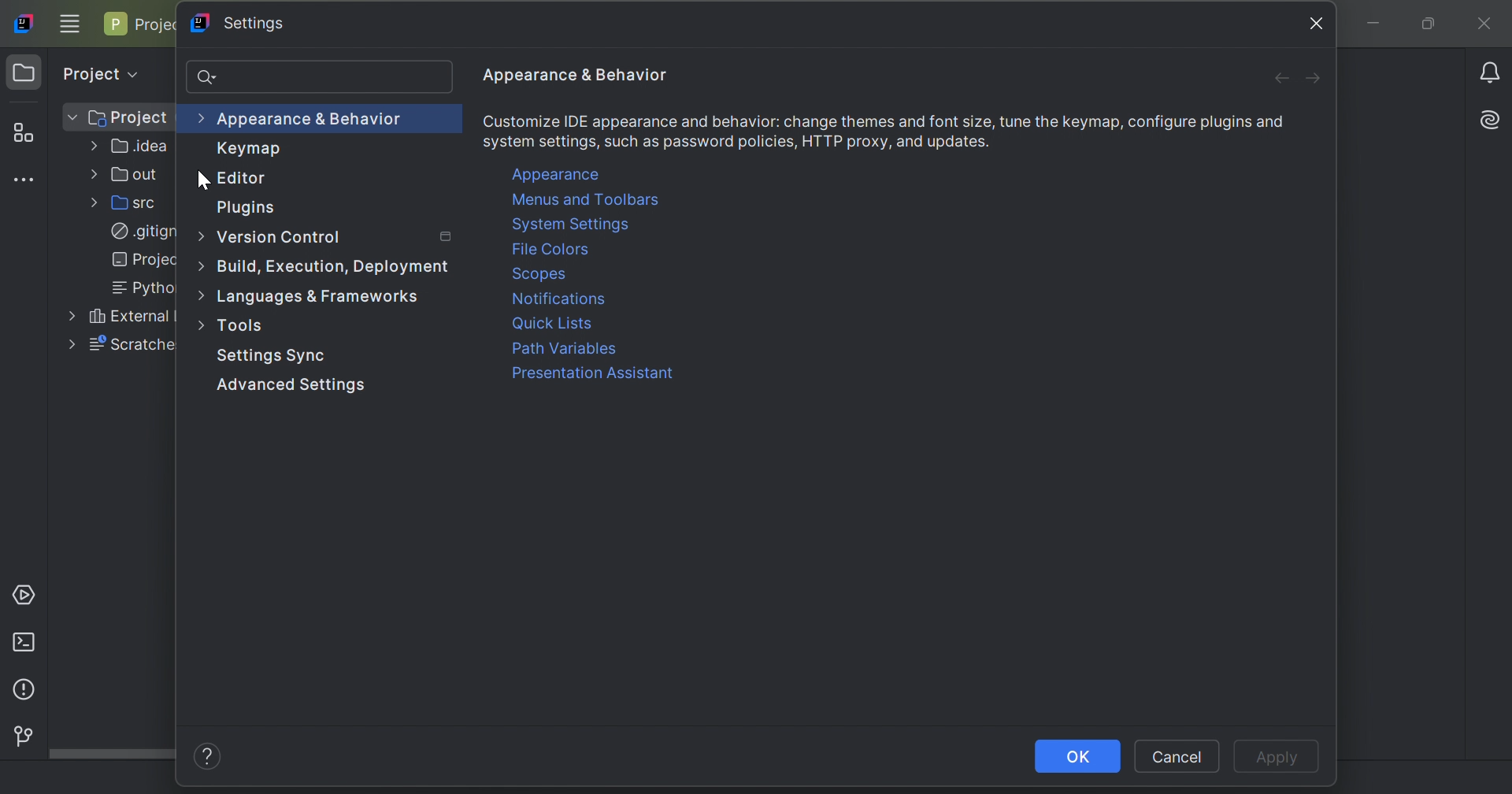 The image size is (1512, 794). I want to click on Notifications, so click(558, 299).